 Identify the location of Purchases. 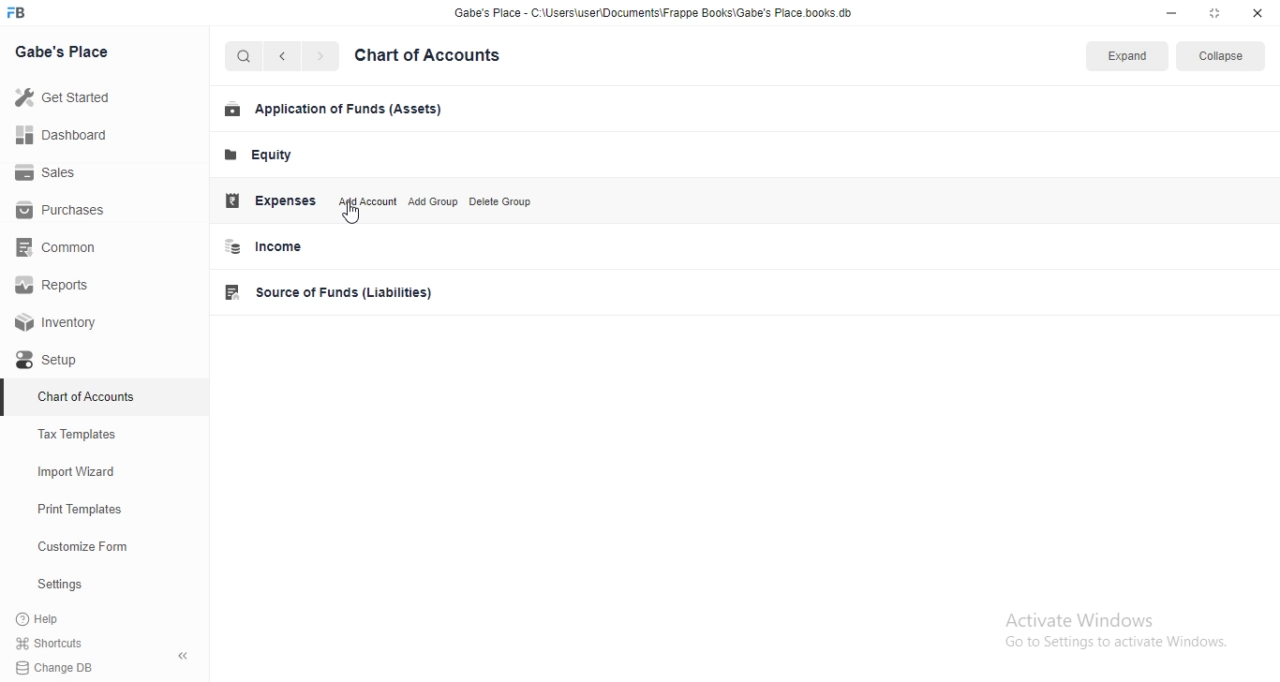
(66, 212).